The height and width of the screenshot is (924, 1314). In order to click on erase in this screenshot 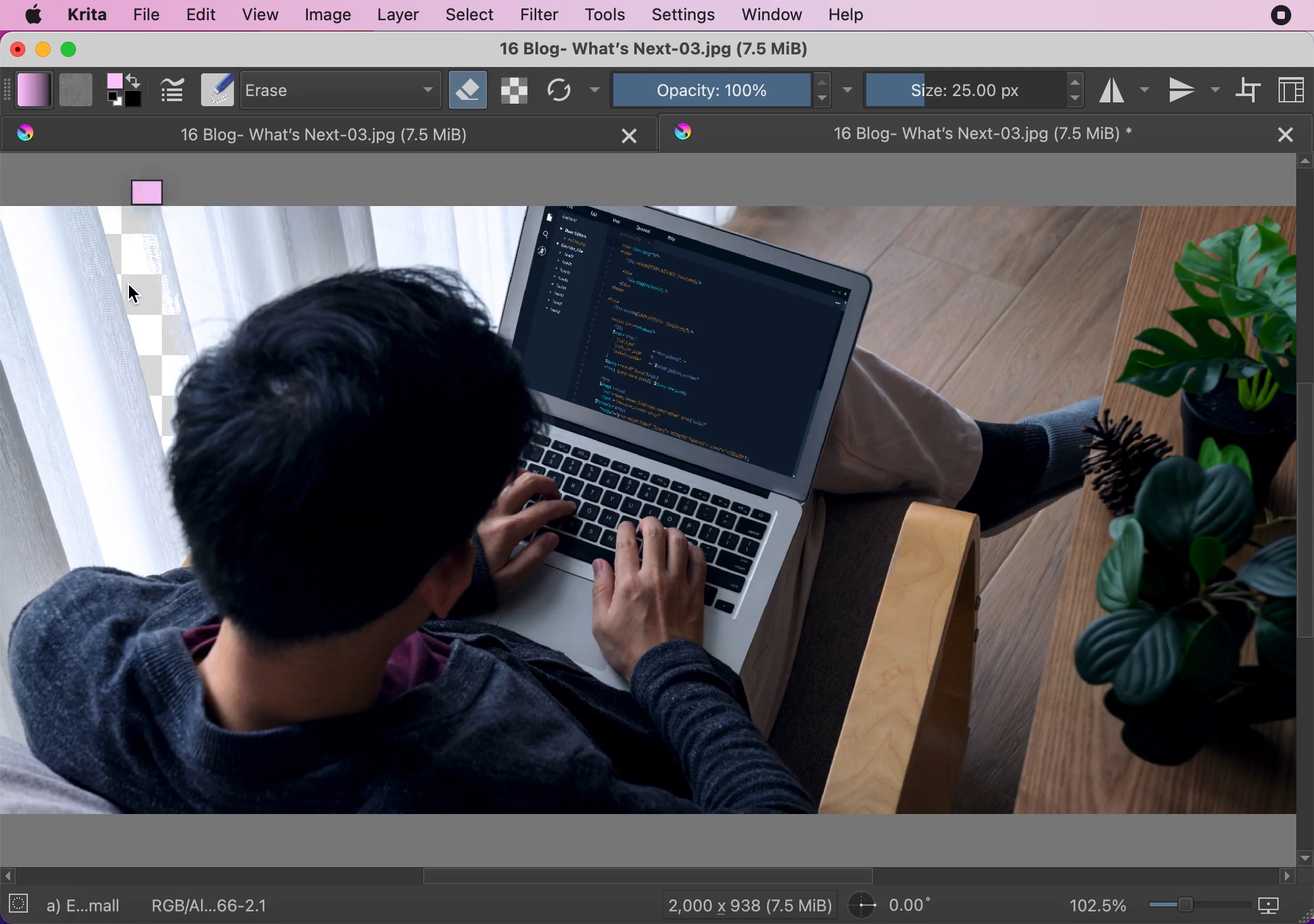, I will do `click(338, 89)`.